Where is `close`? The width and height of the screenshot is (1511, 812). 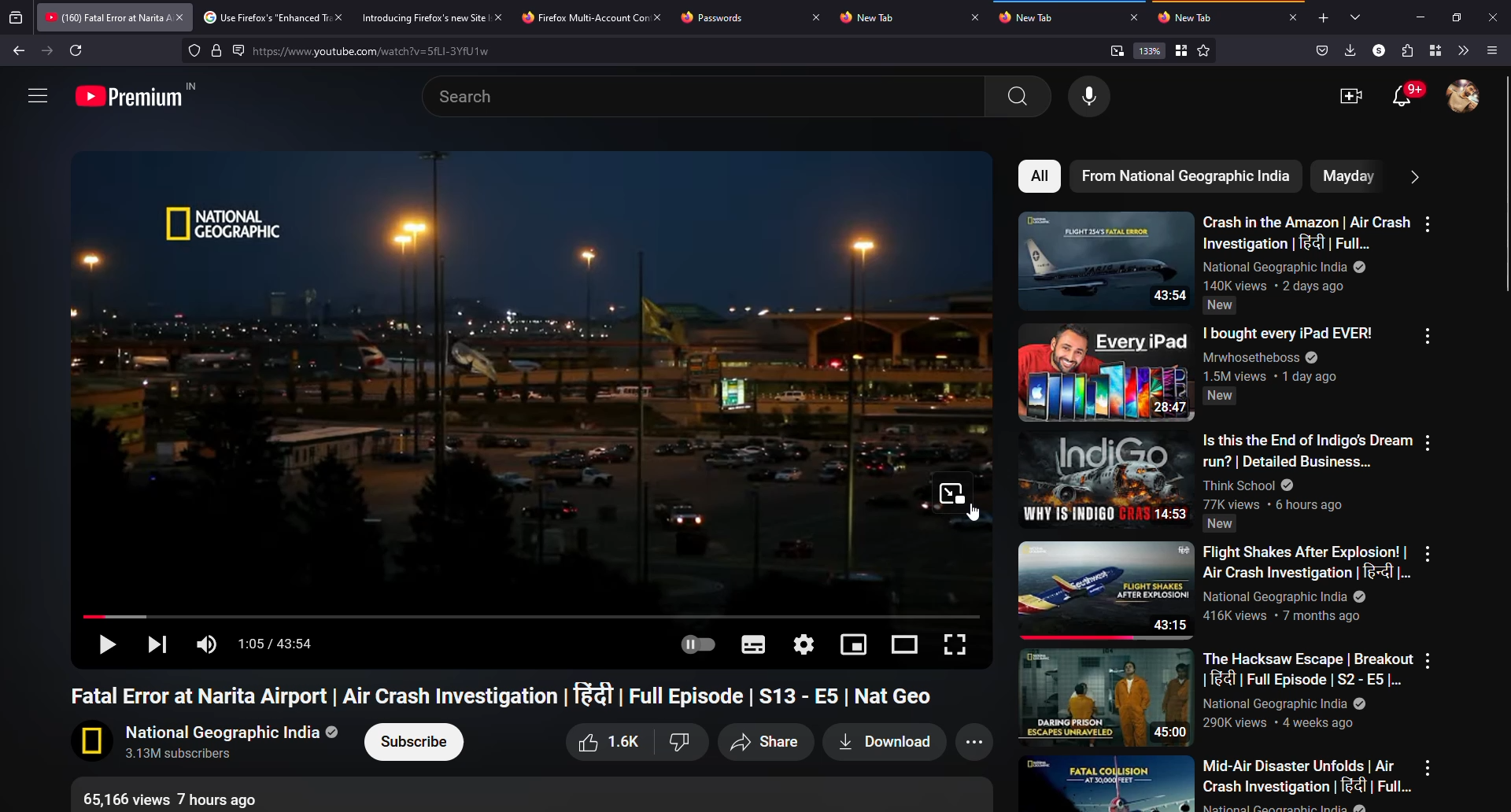
close is located at coordinates (816, 17).